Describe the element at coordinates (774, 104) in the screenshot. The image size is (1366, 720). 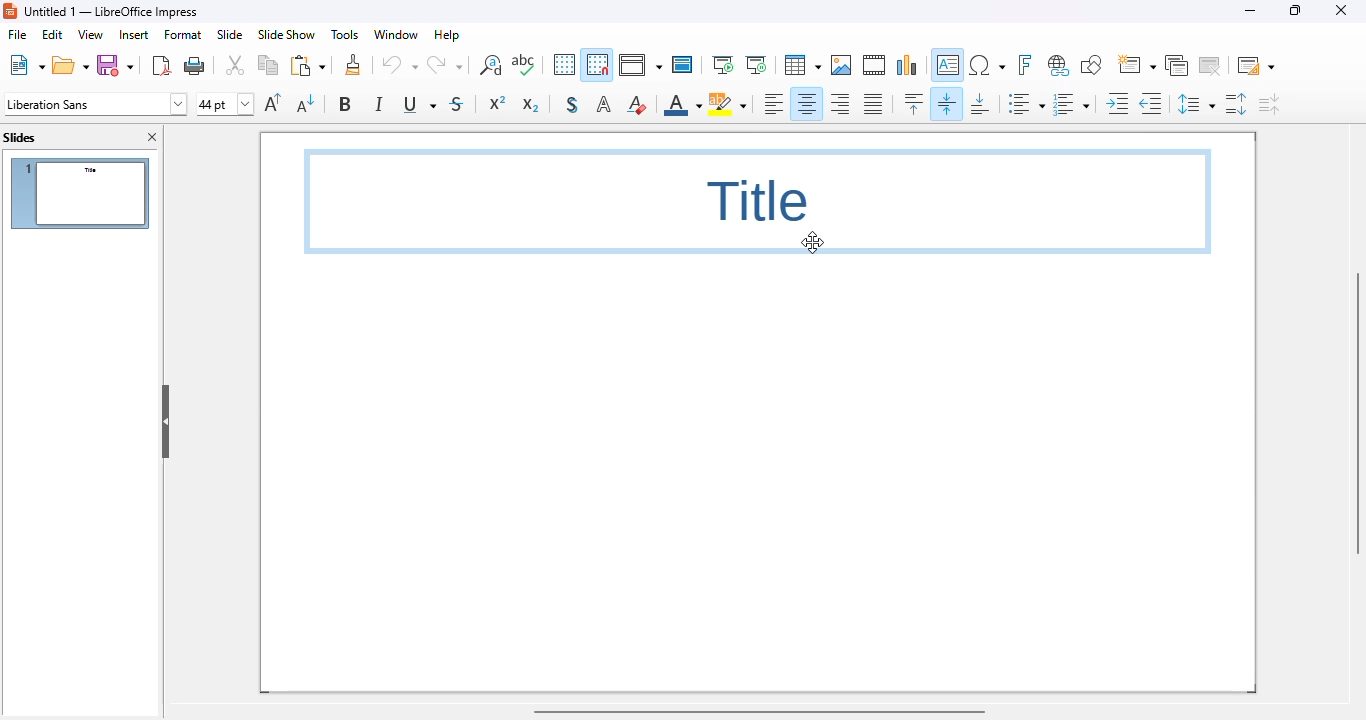
I see `align left` at that location.